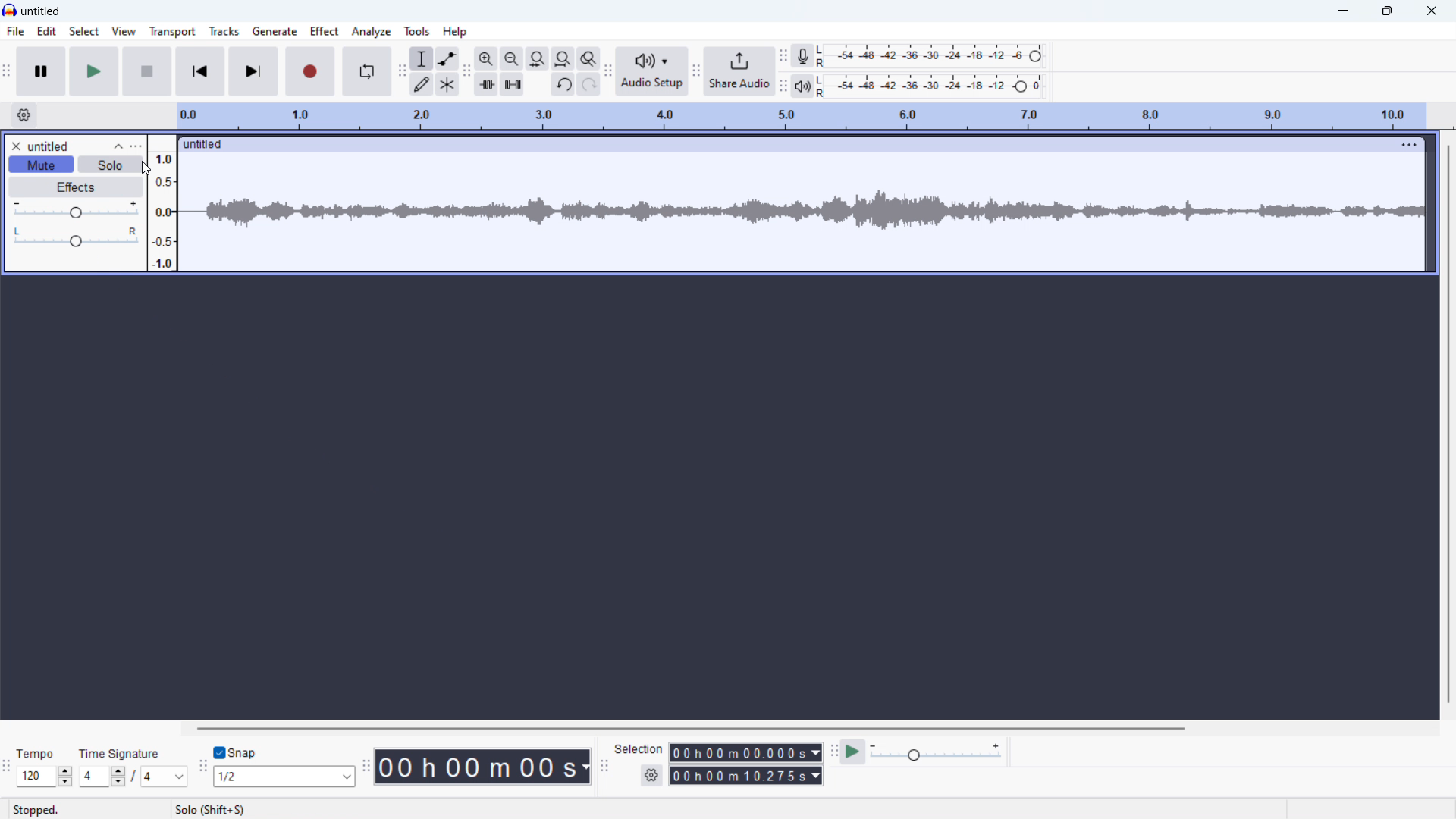  I want to click on playback speed, so click(937, 752).